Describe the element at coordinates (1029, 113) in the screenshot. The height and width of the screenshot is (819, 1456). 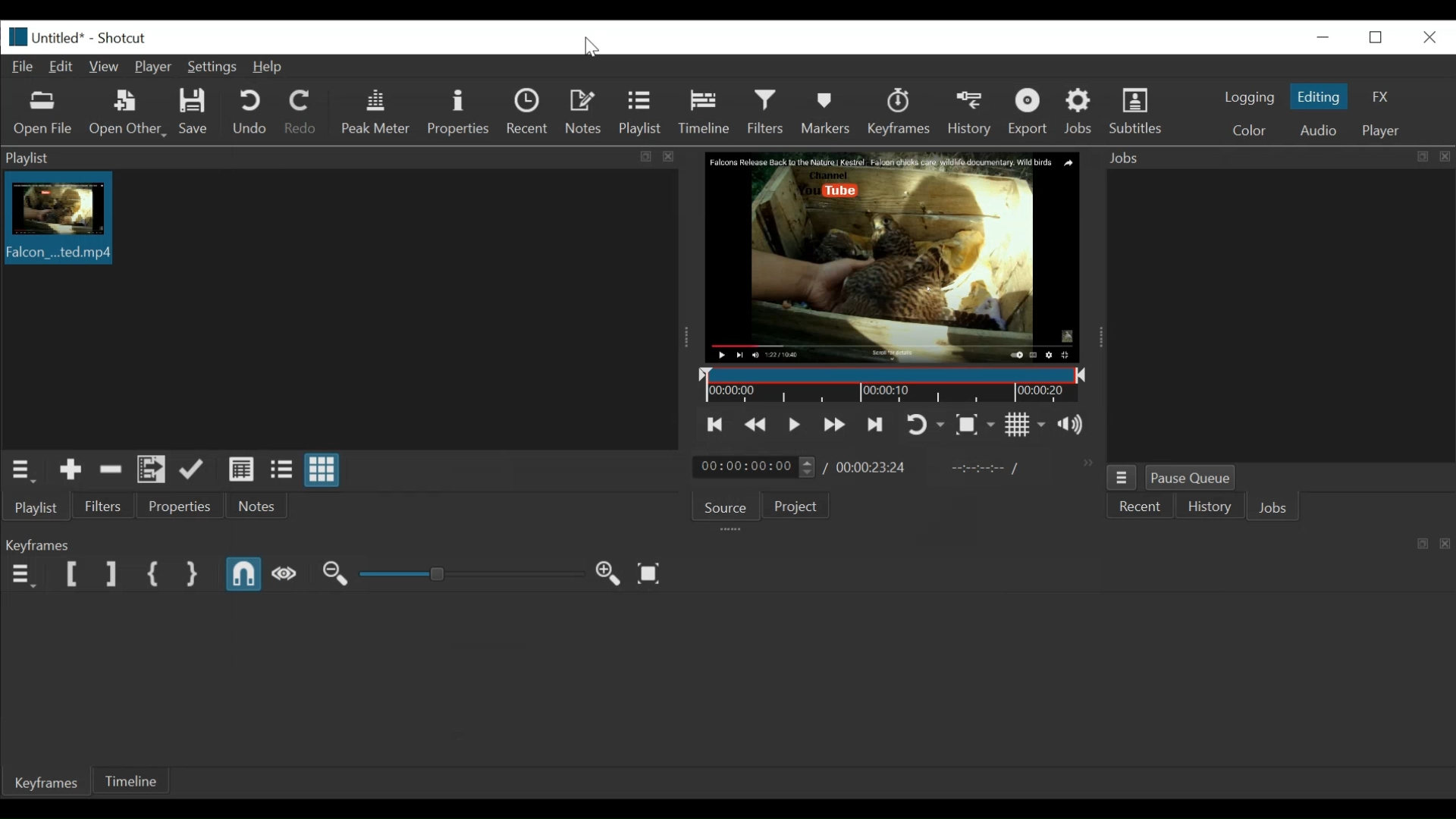
I see `Export` at that location.